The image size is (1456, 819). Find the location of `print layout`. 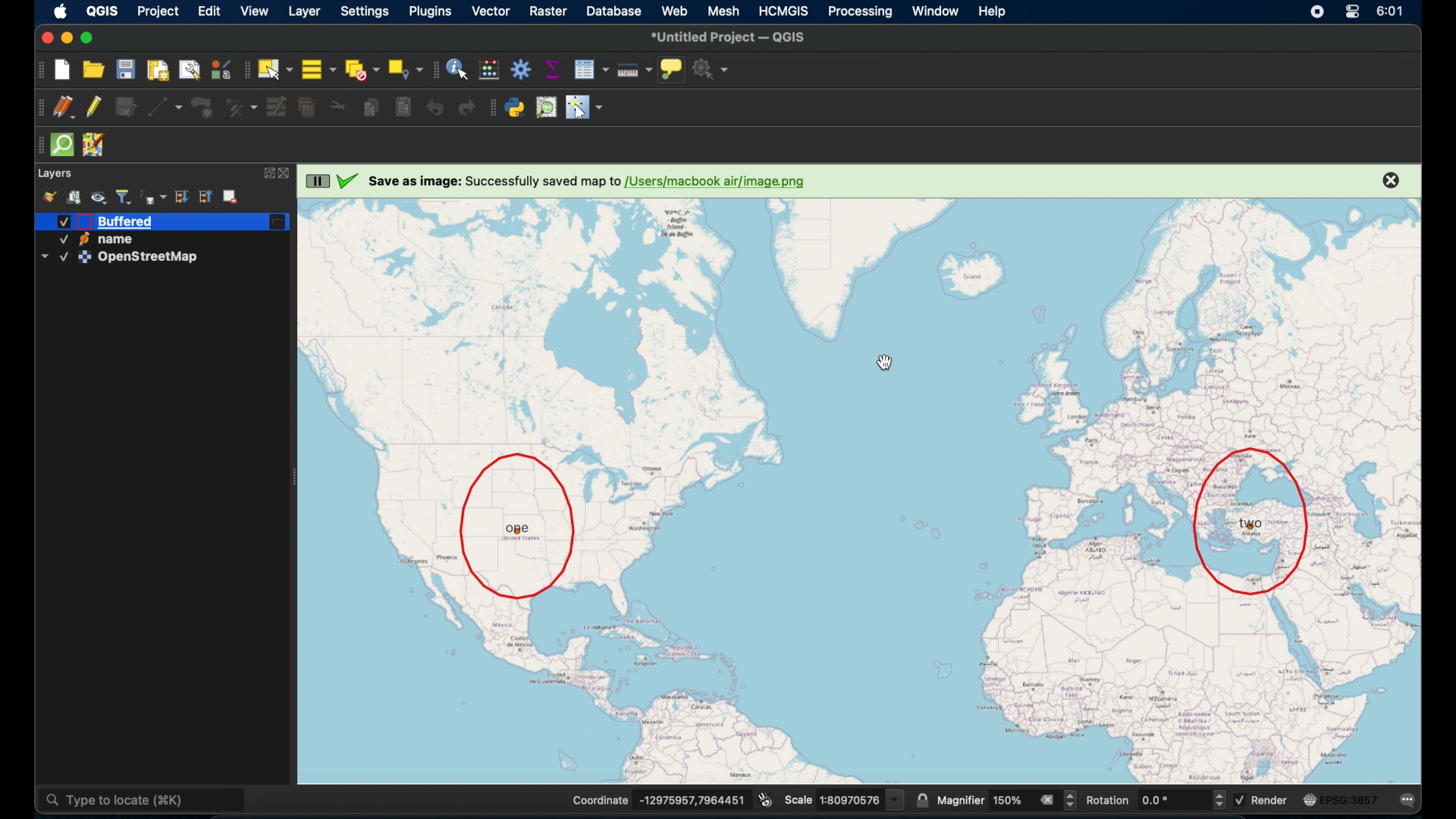

print layout is located at coordinates (158, 70).